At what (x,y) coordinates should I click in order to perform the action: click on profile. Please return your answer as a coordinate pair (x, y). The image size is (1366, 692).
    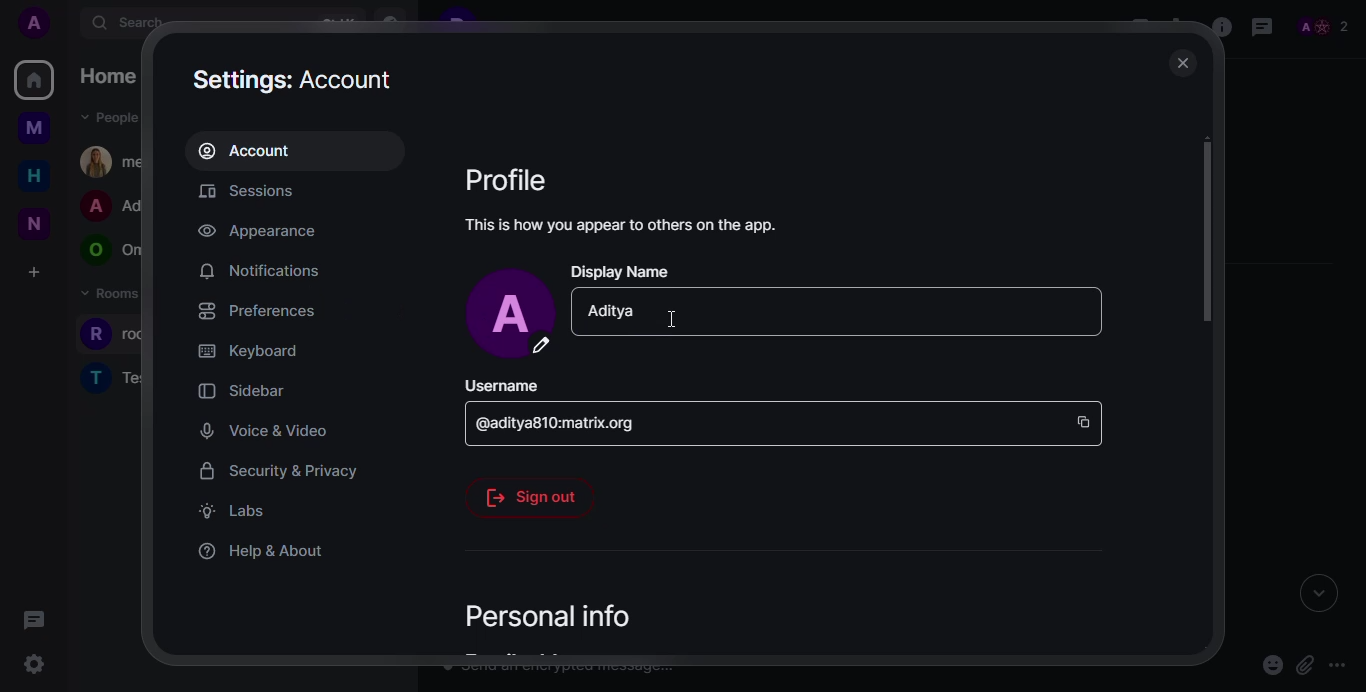
    Looking at the image, I should click on (507, 178).